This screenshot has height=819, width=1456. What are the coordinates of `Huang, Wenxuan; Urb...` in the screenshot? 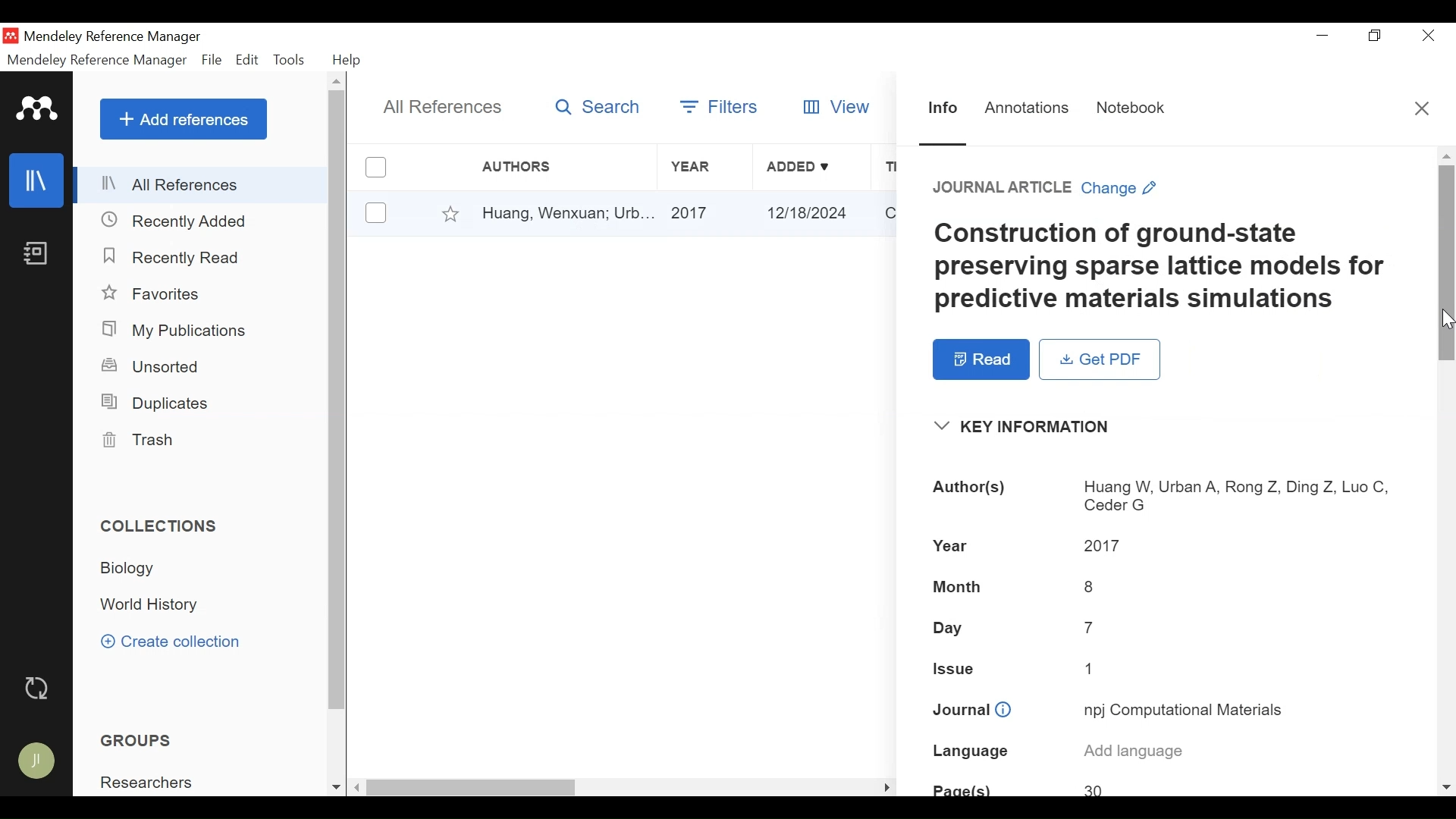 It's located at (567, 214).